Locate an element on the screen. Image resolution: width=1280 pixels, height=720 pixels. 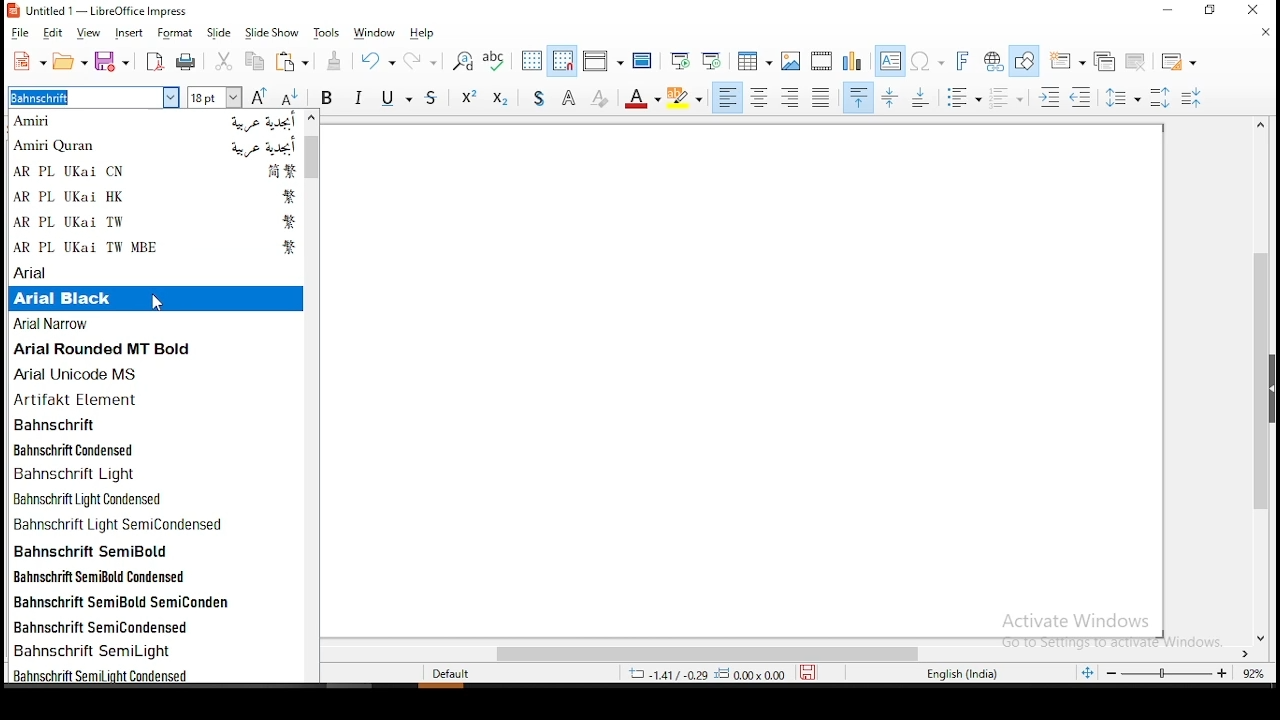
insert hyperlink is located at coordinates (994, 61).